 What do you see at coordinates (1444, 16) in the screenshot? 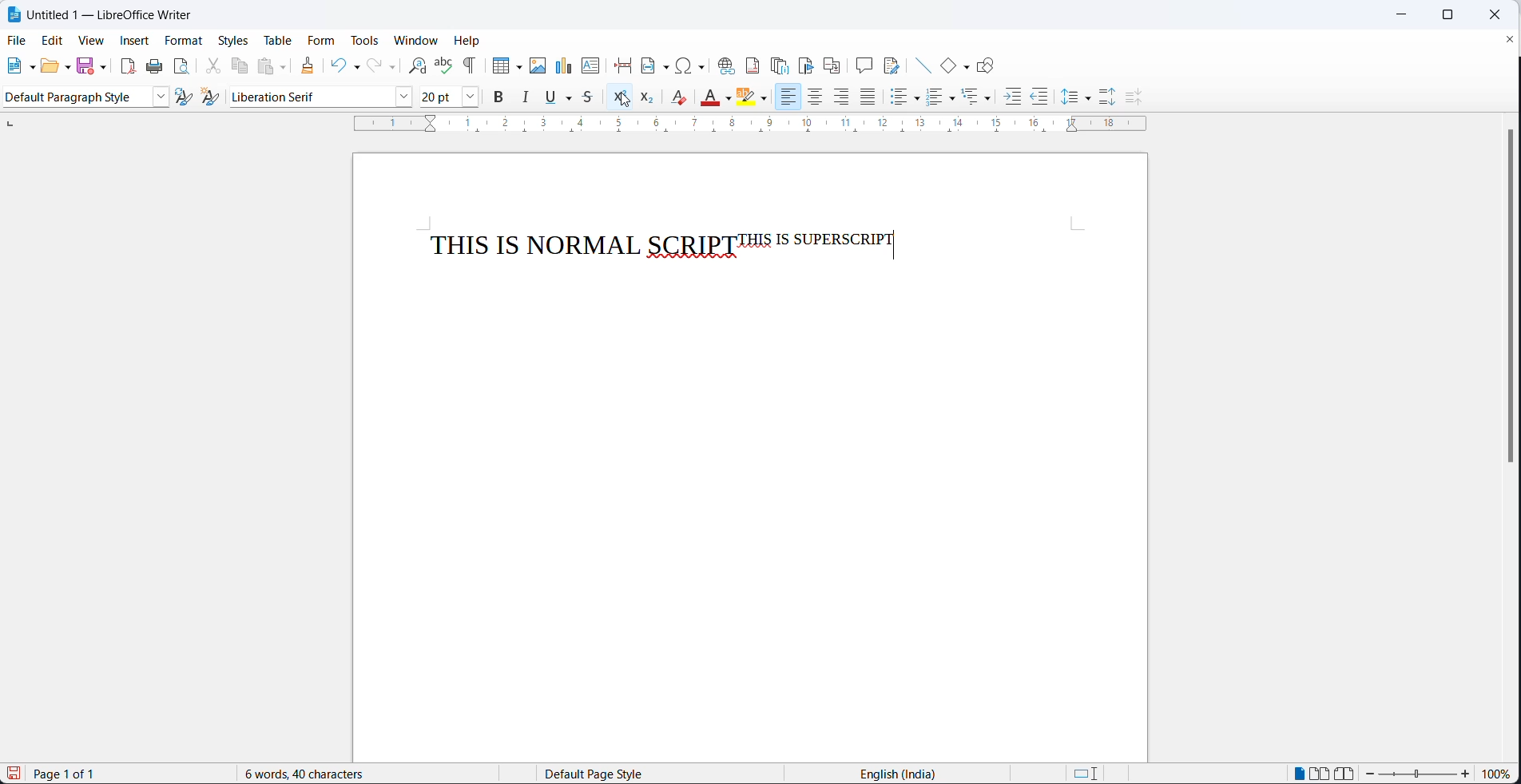
I see `maximize` at bounding box center [1444, 16].